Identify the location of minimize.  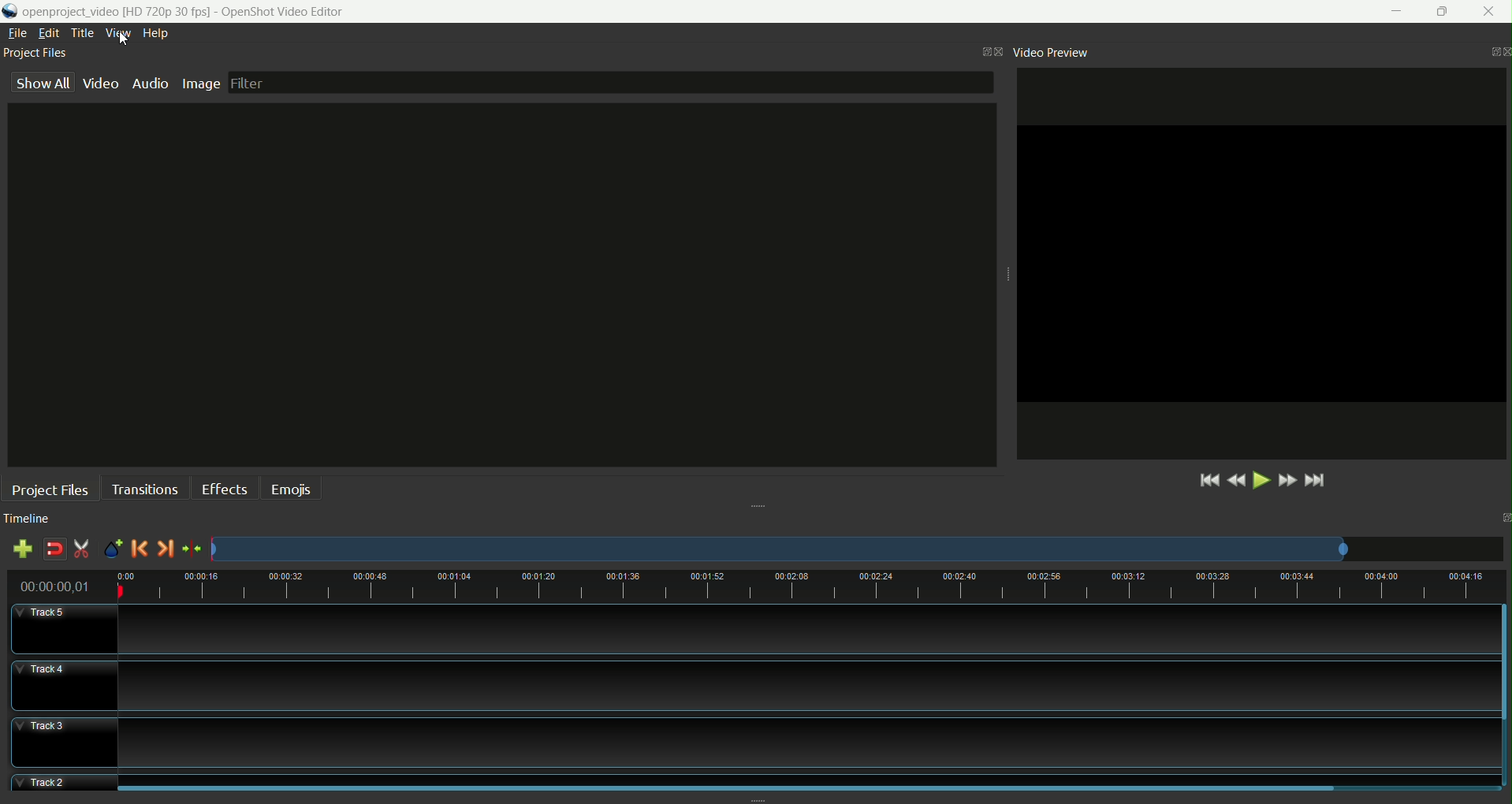
(1391, 11).